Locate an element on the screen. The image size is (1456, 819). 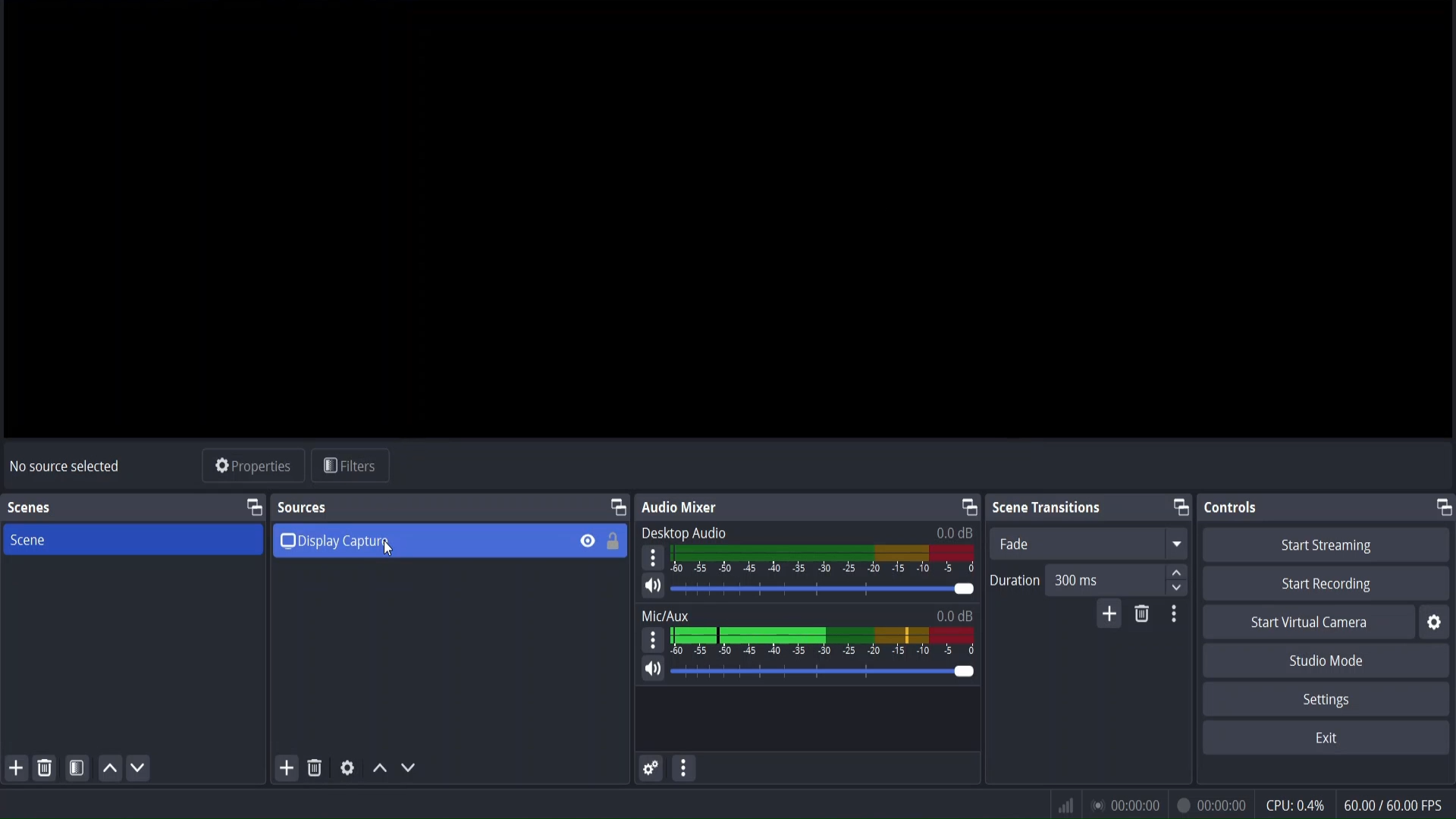
change tab layout is located at coordinates (617, 508).